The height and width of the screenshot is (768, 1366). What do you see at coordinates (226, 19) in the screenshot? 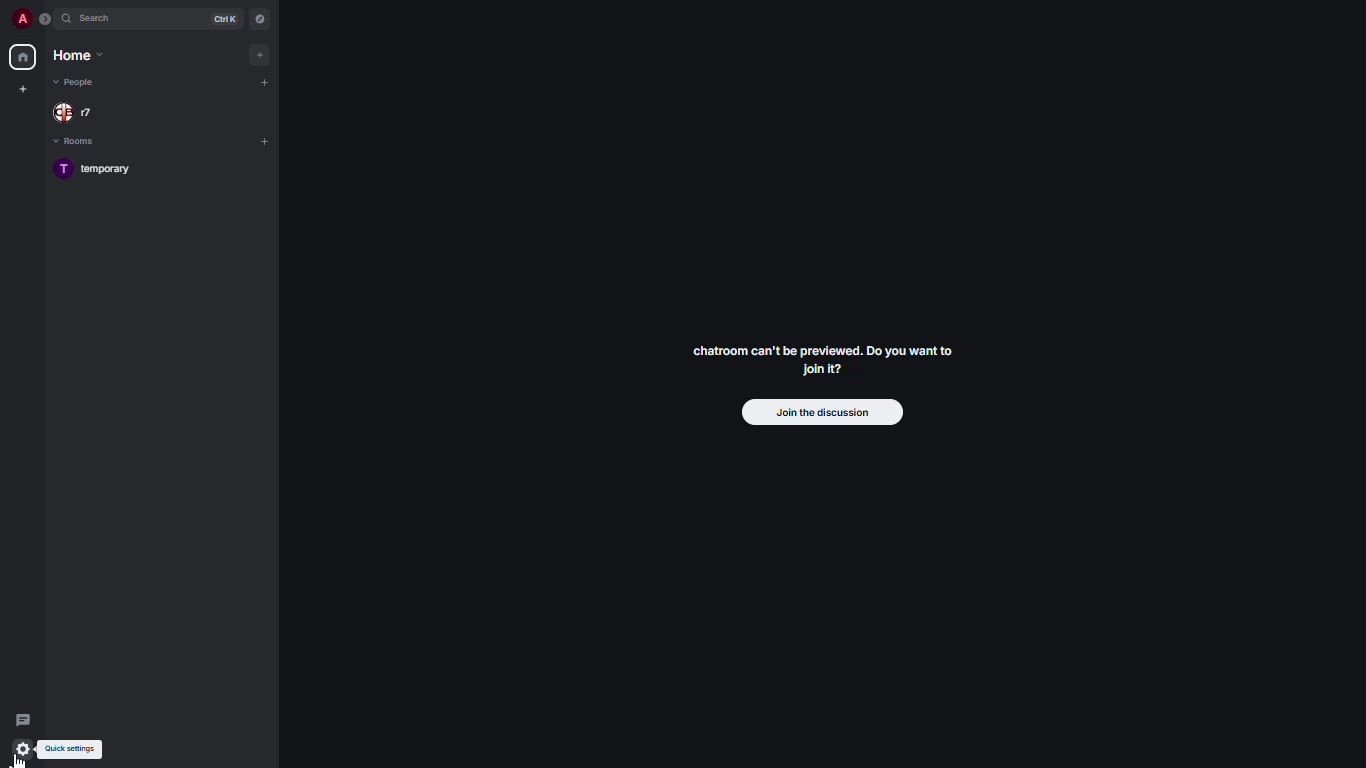
I see `ctrl K` at bounding box center [226, 19].